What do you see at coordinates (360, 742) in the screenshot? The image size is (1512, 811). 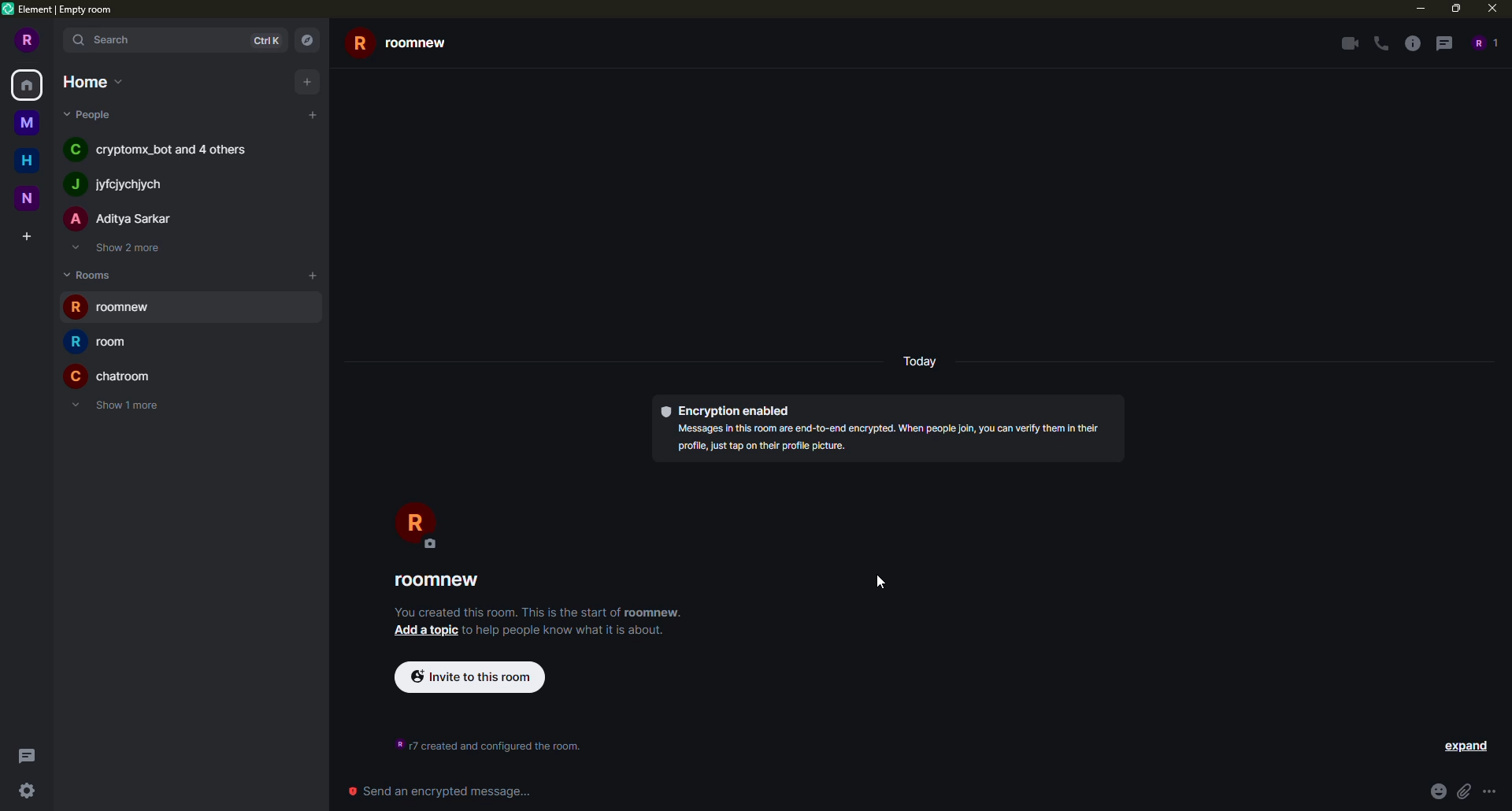 I see `time` at bounding box center [360, 742].